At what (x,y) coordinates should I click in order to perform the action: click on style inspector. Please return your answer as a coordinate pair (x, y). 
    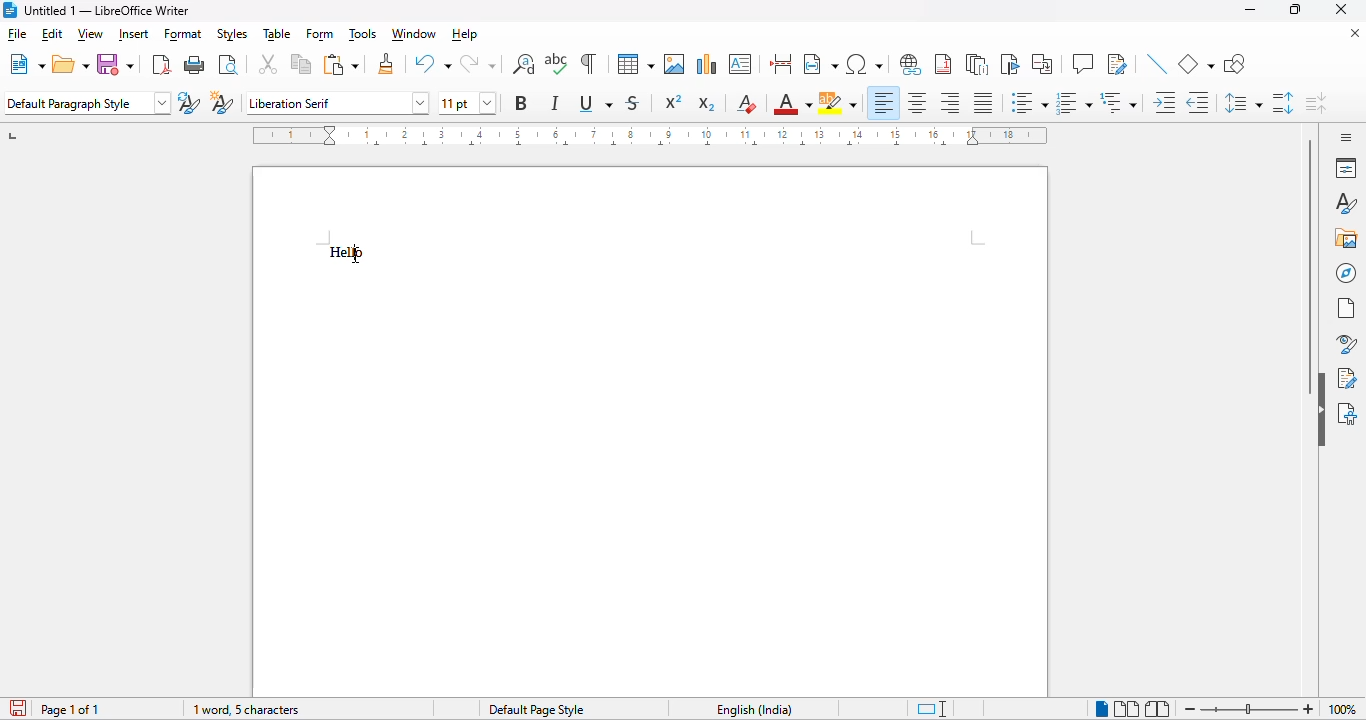
    Looking at the image, I should click on (1343, 343).